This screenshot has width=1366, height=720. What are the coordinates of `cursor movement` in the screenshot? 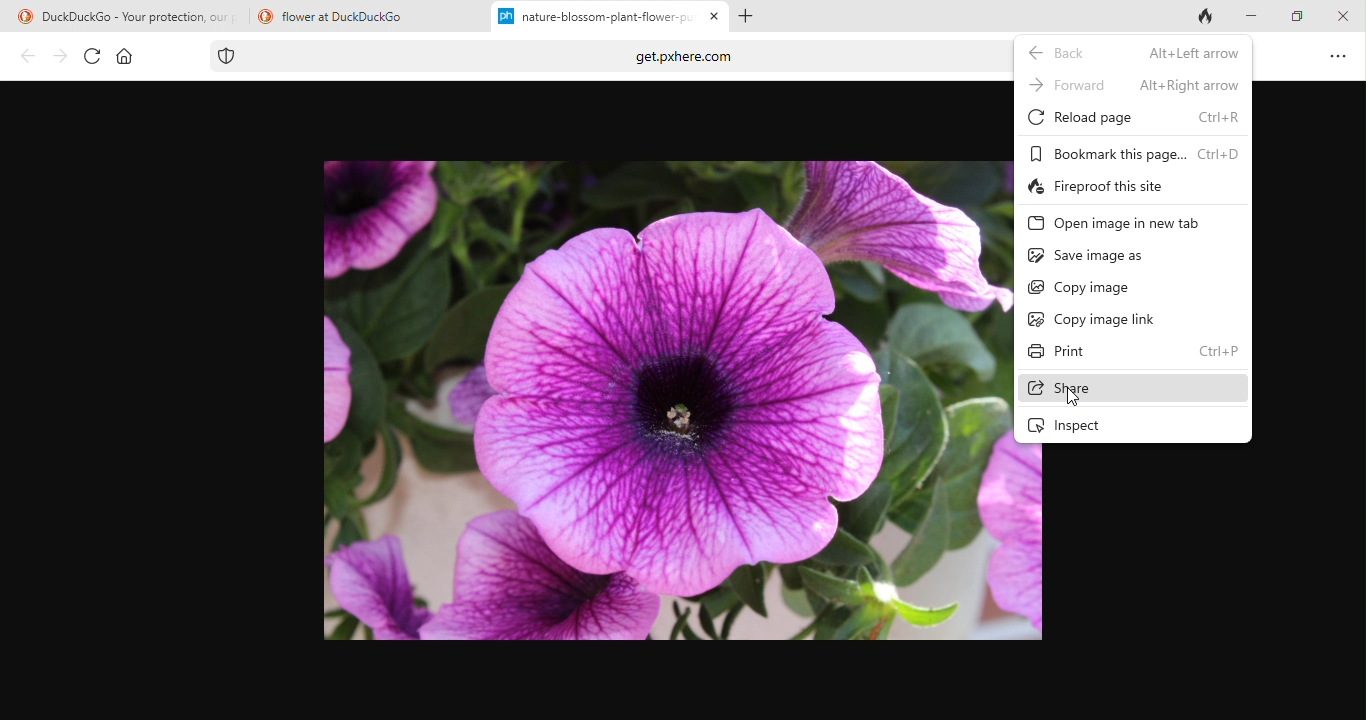 It's located at (1071, 399).